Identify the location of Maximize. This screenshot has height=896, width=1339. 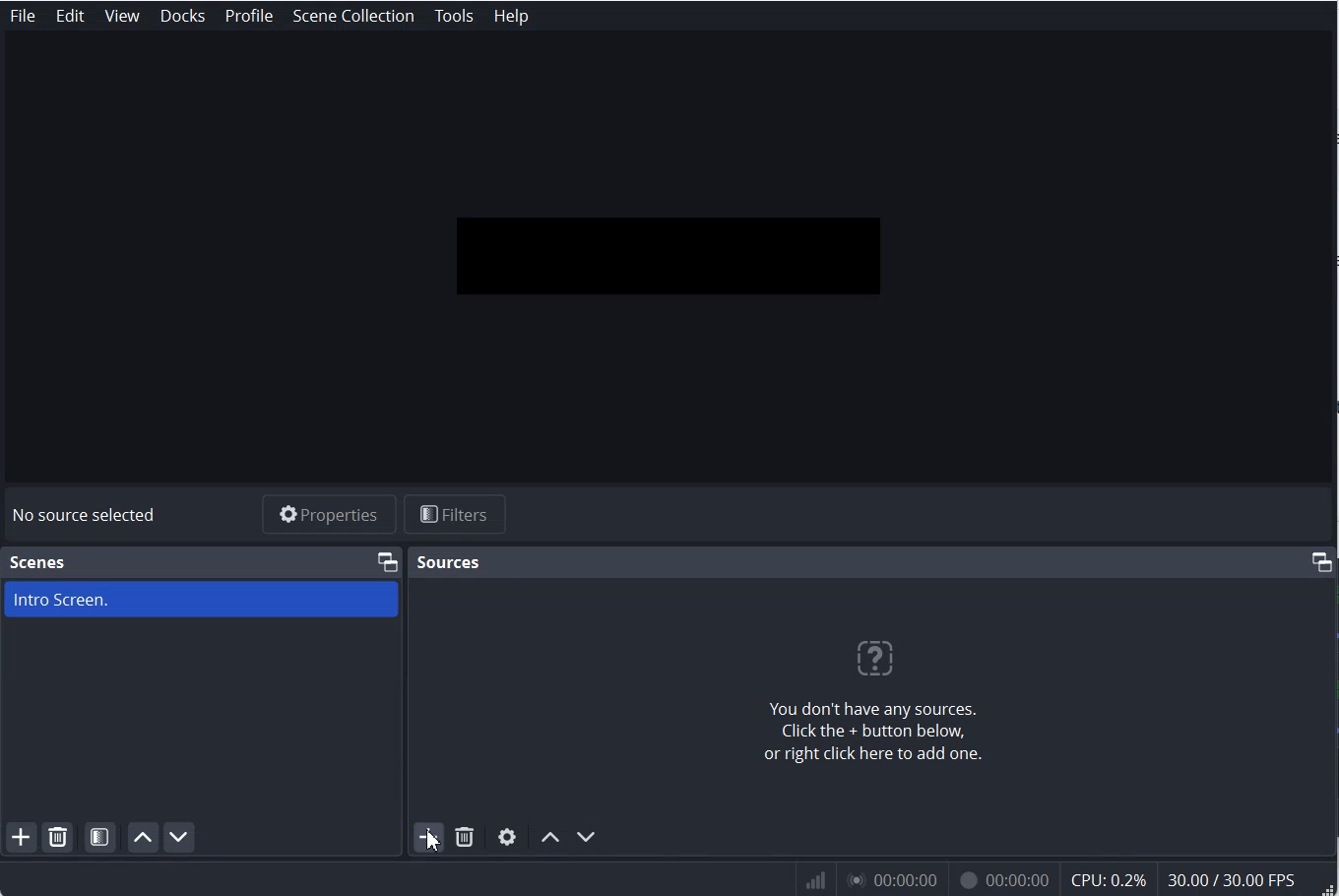
(1321, 561).